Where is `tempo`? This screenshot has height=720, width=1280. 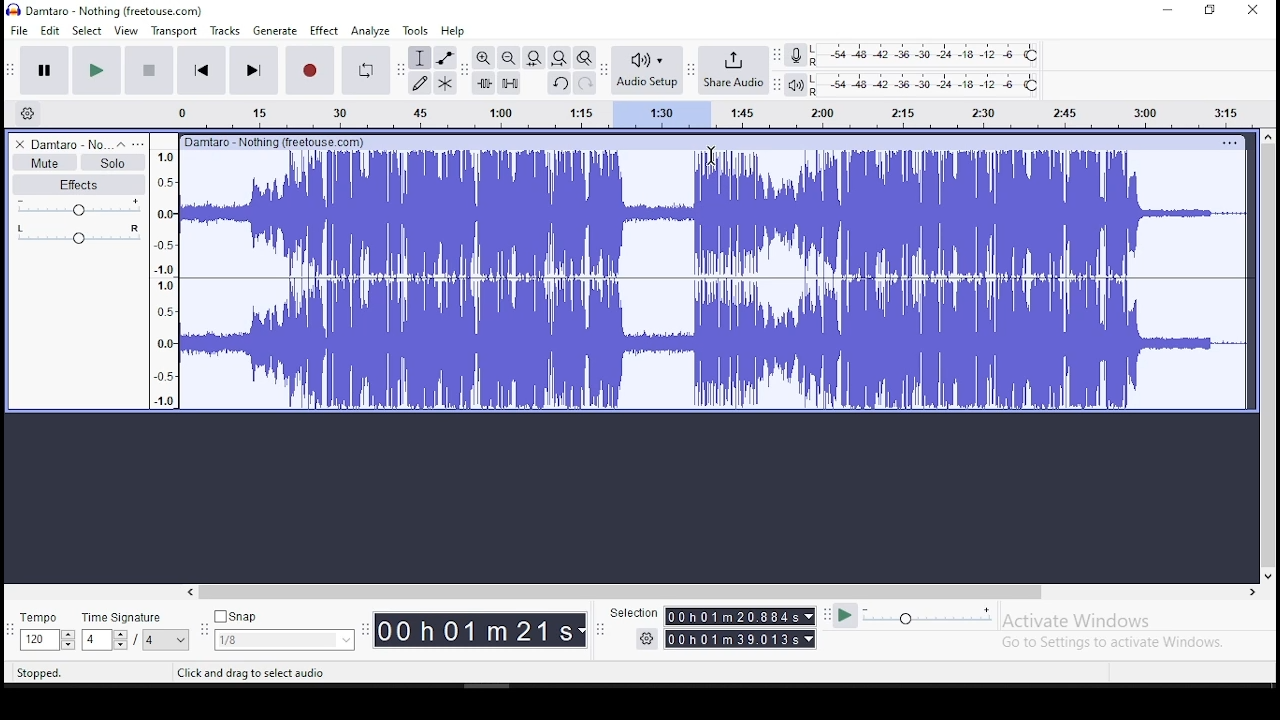
tempo is located at coordinates (44, 619).